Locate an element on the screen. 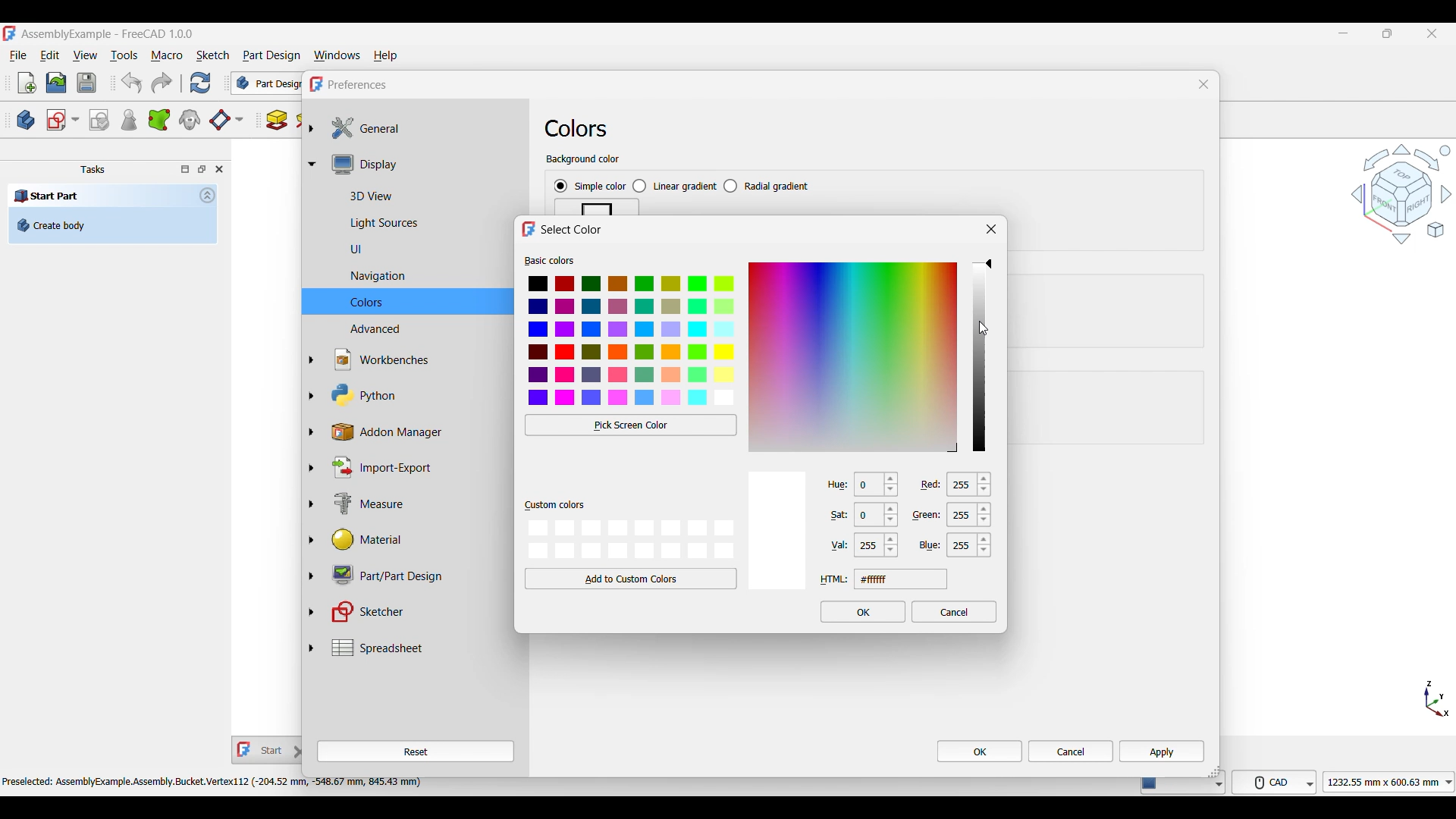  View menu is located at coordinates (85, 55).